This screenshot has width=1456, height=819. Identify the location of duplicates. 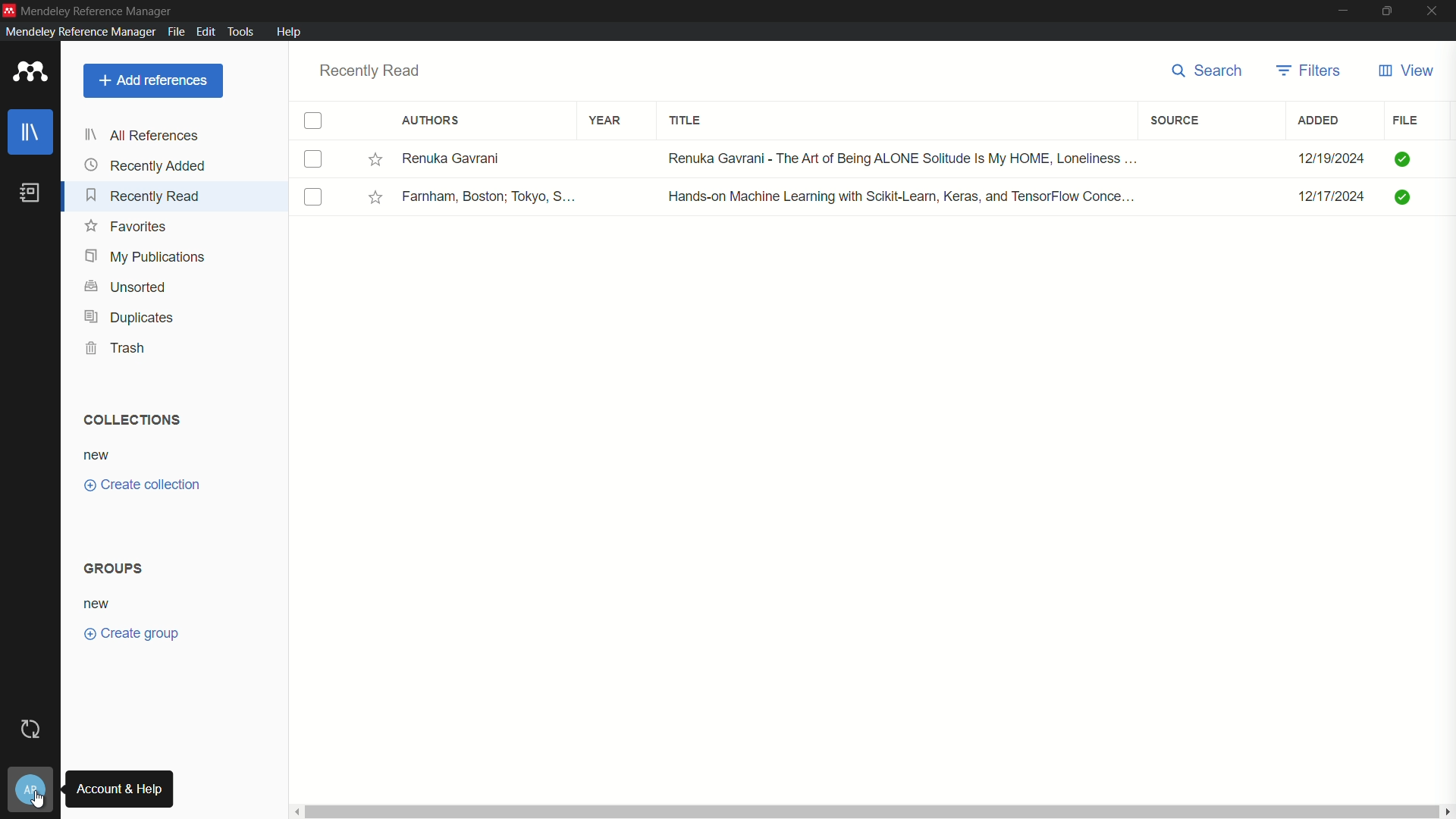
(129, 318).